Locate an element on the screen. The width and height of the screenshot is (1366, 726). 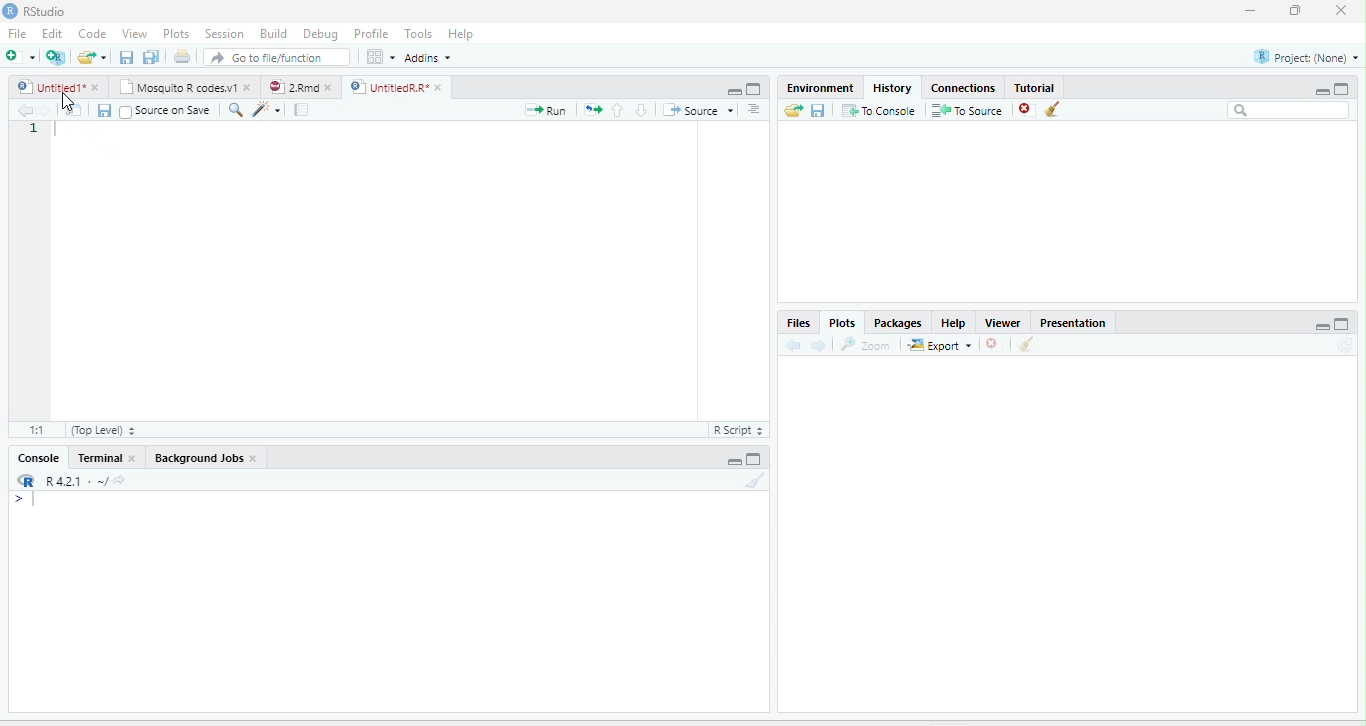
Help is located at coordinates (954, 323).